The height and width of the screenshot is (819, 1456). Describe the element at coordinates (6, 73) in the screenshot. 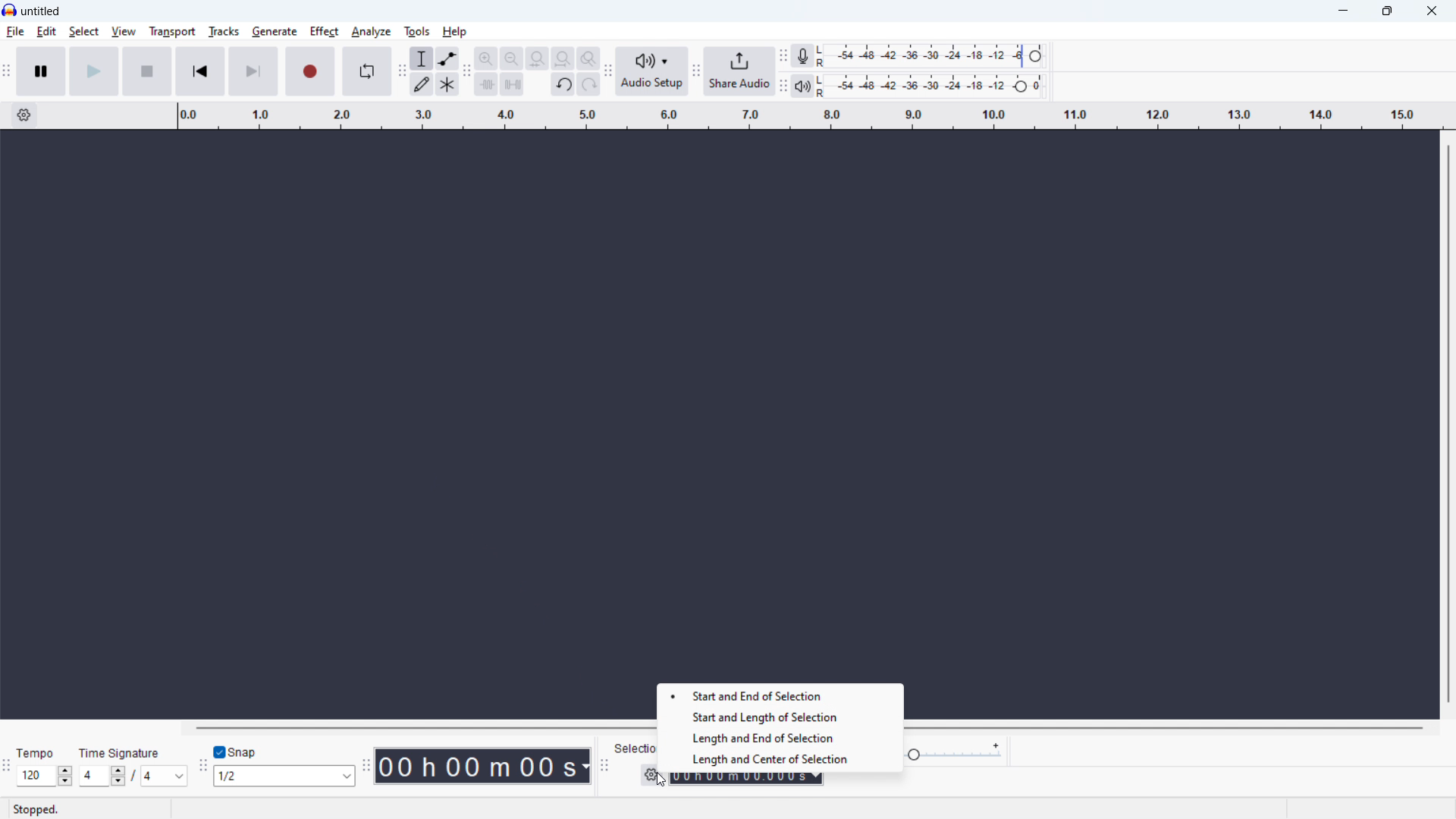

I see `transport toolbar` at that location.